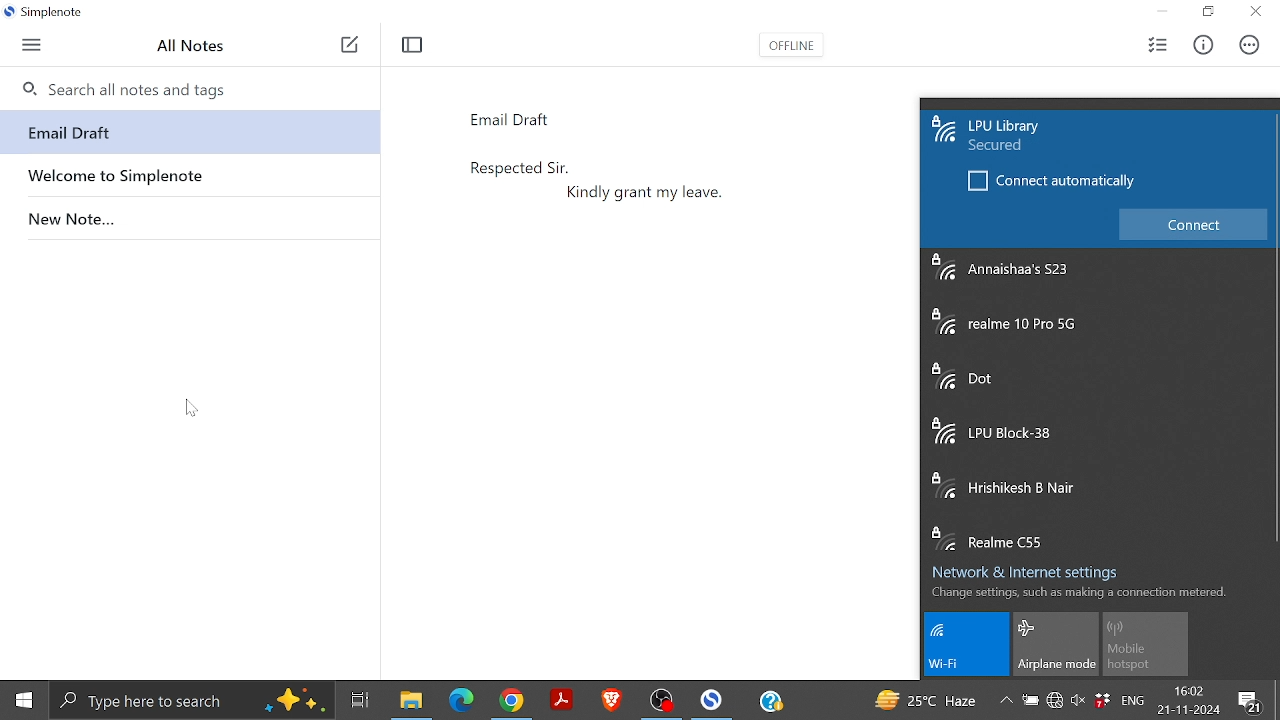 The height and width of the screenshot is (720, 1280). I want to click on WIFI, so click(970, 645).